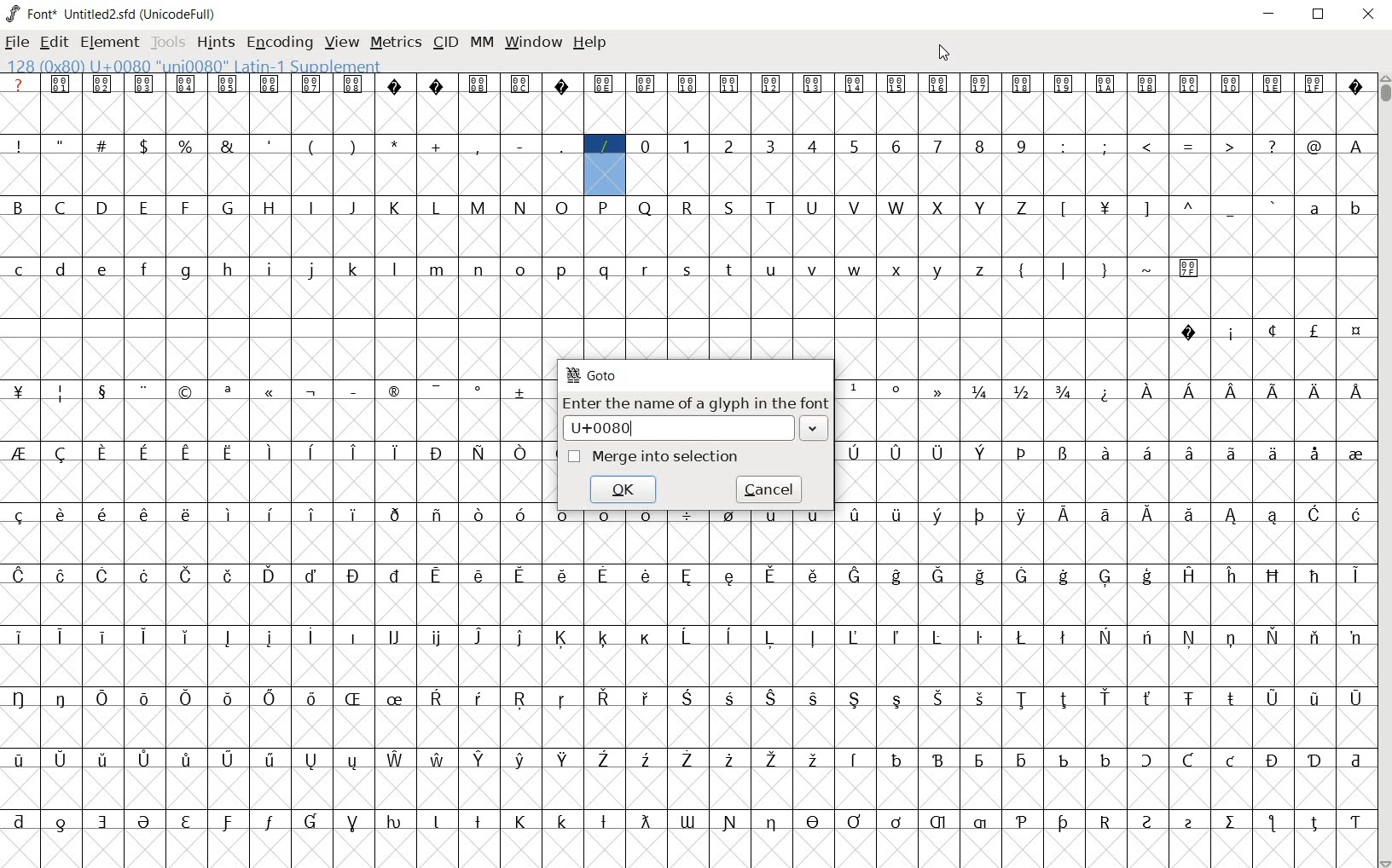  Describe the element at coordinates (478, 84) in the screenshot. I see `glyph` at that location.